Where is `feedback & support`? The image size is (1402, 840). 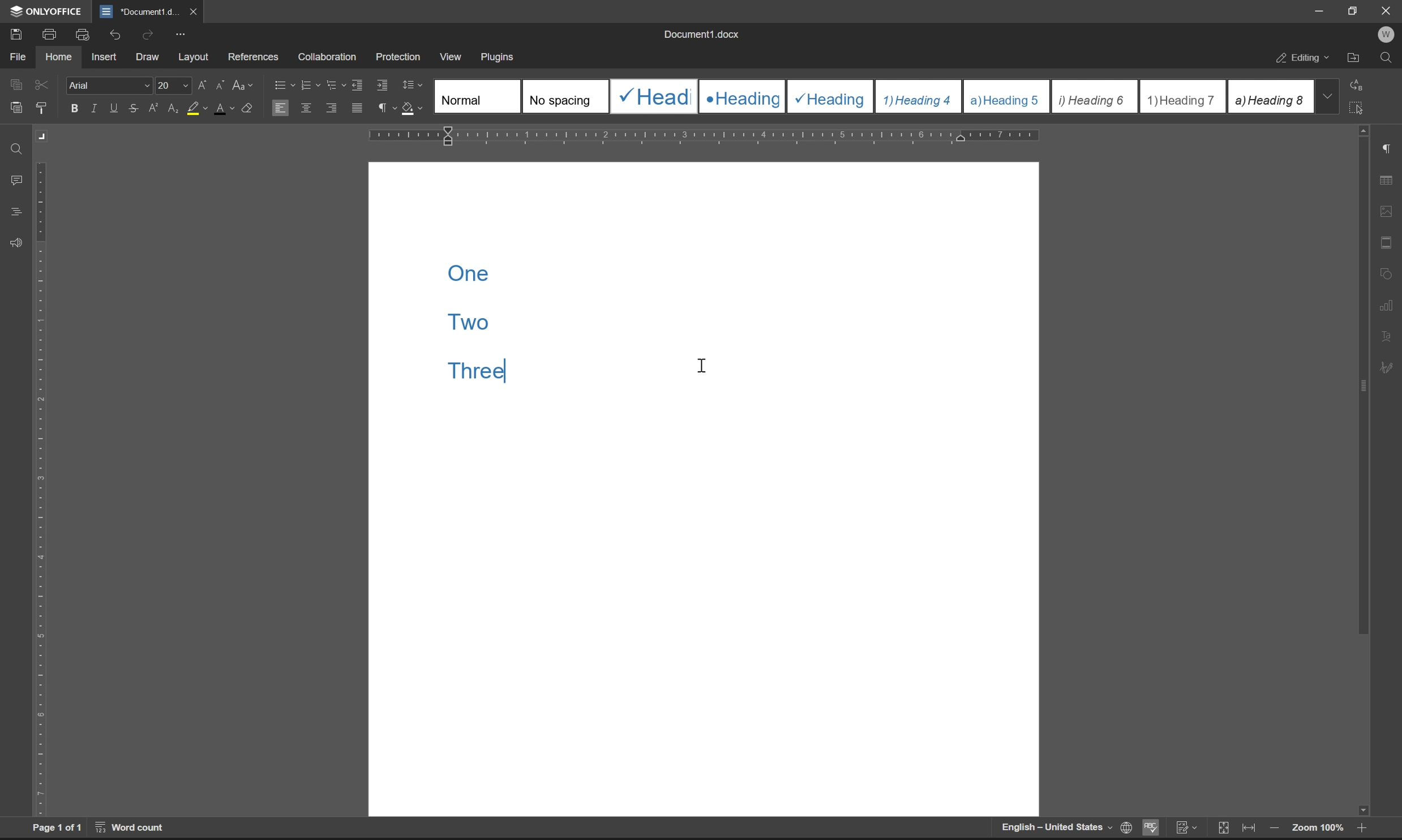
feedback & support is located at coordinates (17, 244).